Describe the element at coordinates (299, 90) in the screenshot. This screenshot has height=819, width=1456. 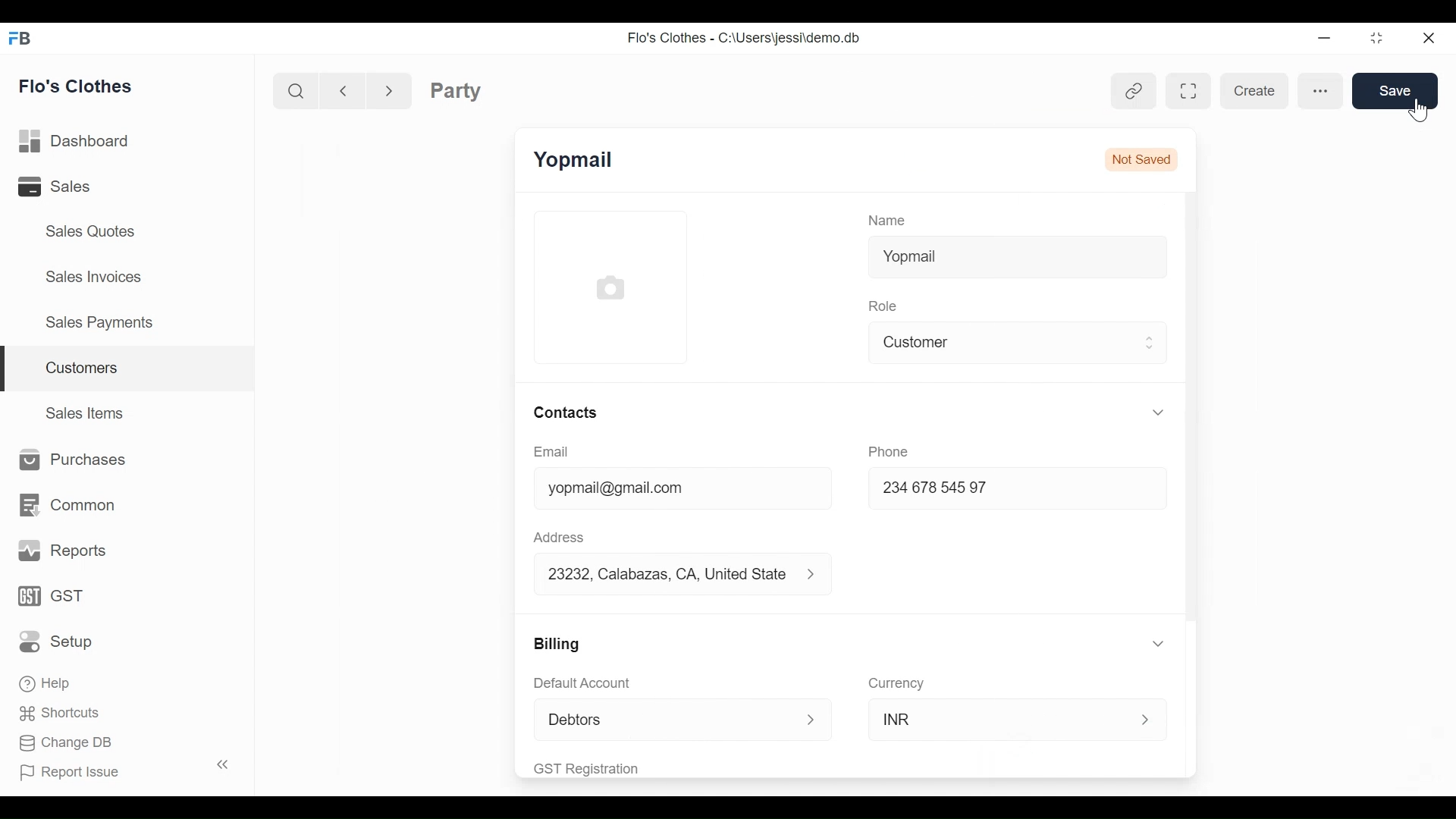
I see `Search` at that location.